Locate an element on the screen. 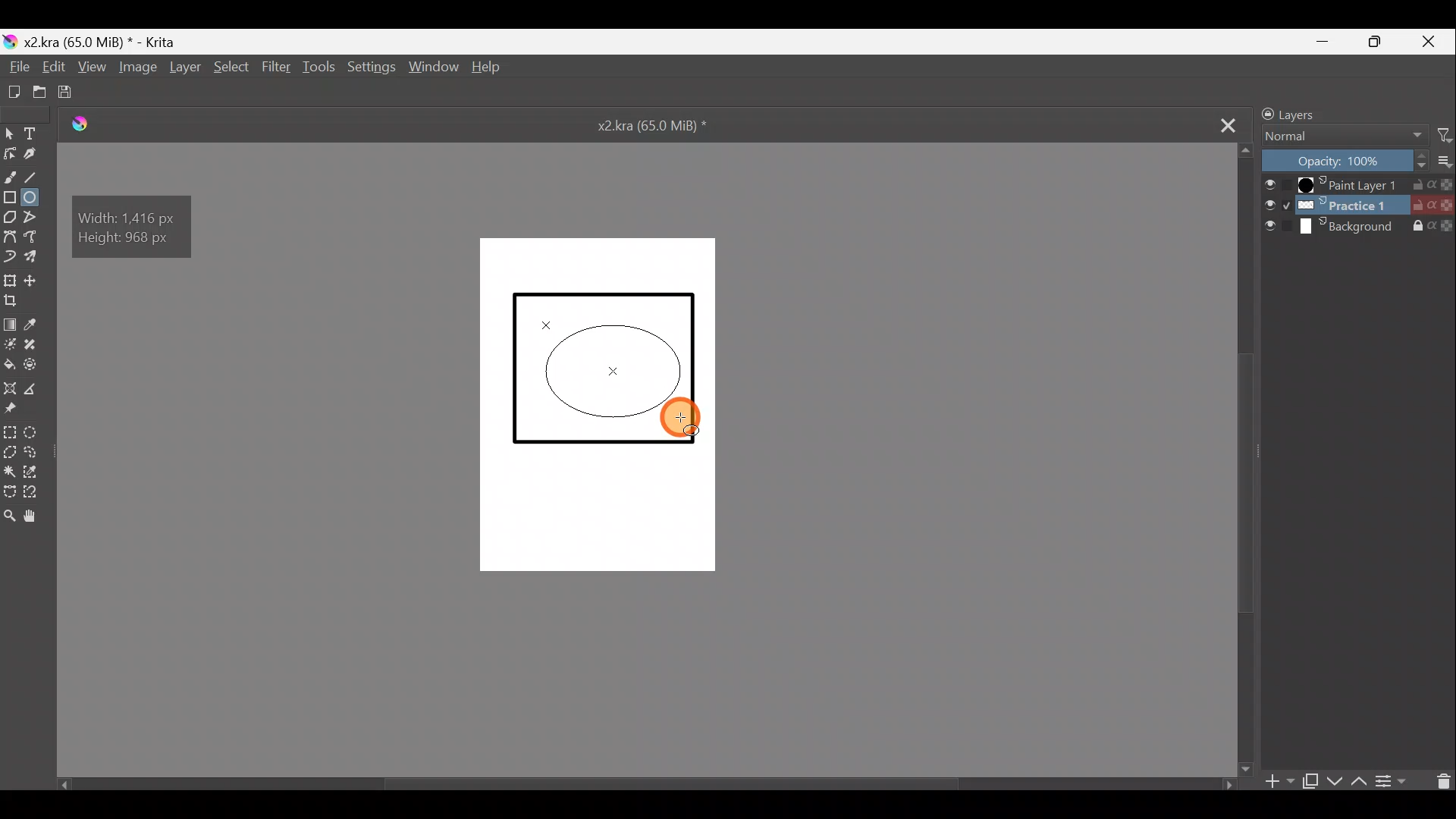  Height: 968 px is located at coordinates (133, 240).